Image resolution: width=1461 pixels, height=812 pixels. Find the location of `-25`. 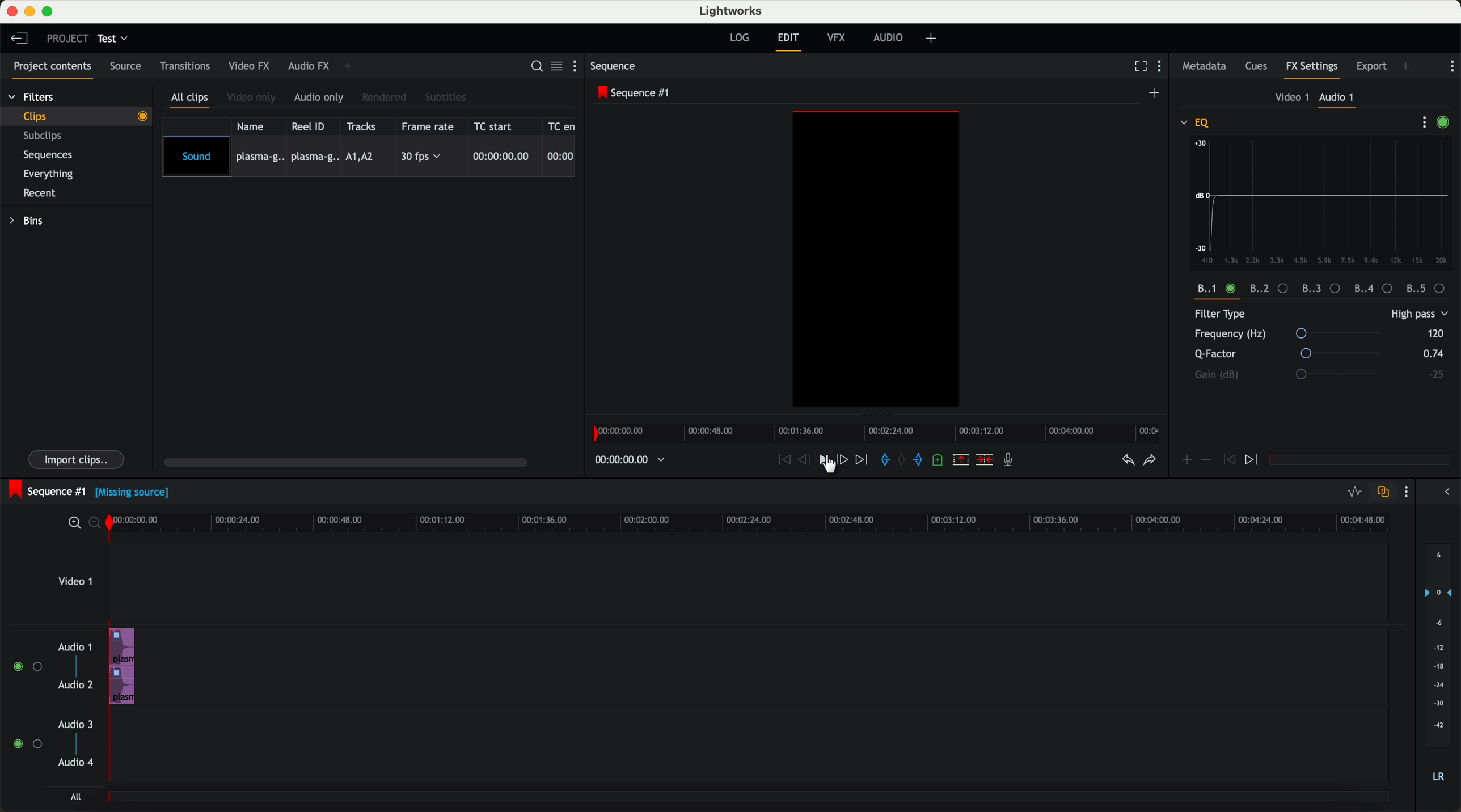

-25 is located at coordinates (1436, 375).